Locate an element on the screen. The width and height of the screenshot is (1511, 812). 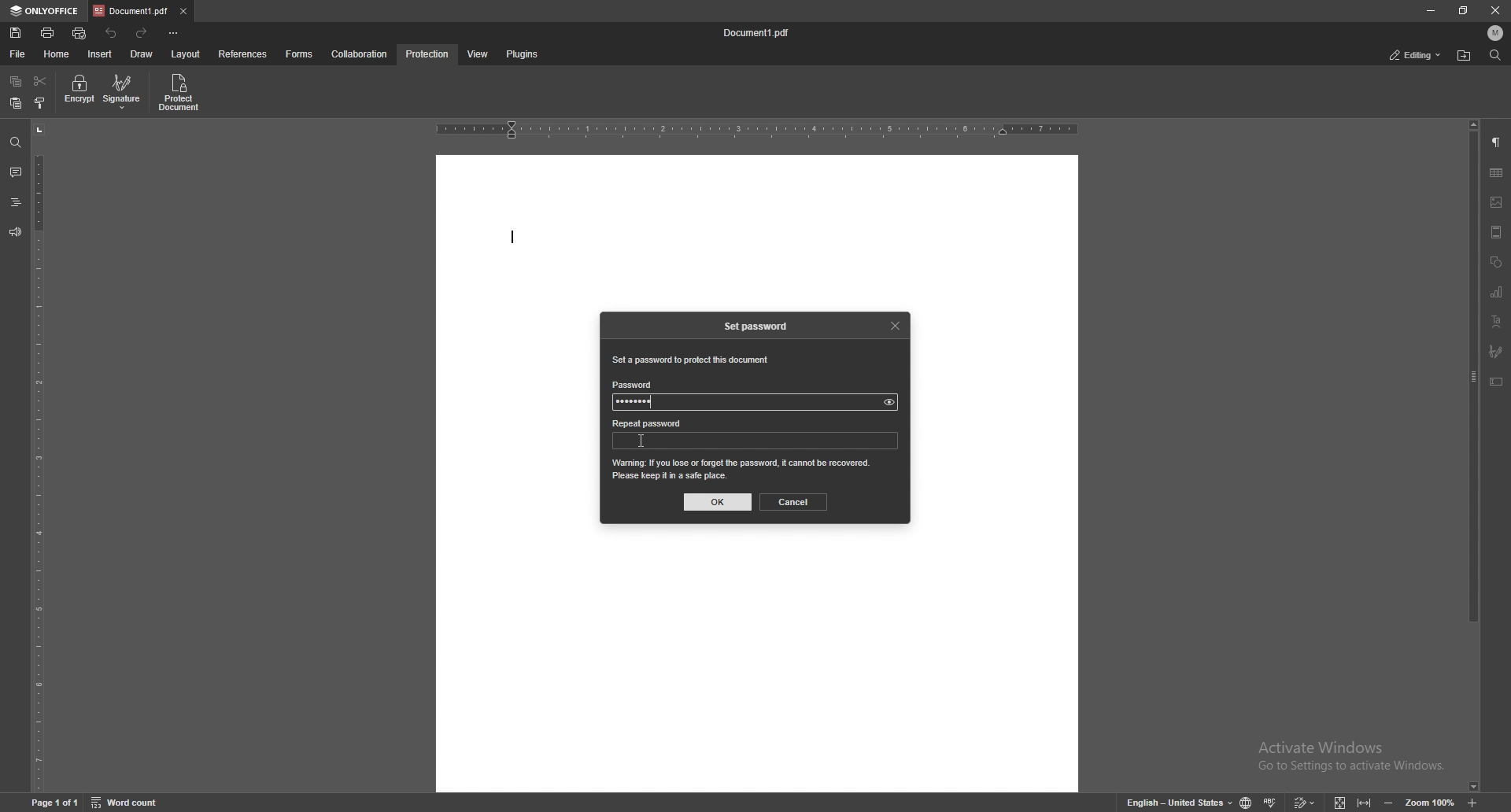
collaboration is located at coordinates (360, 54).